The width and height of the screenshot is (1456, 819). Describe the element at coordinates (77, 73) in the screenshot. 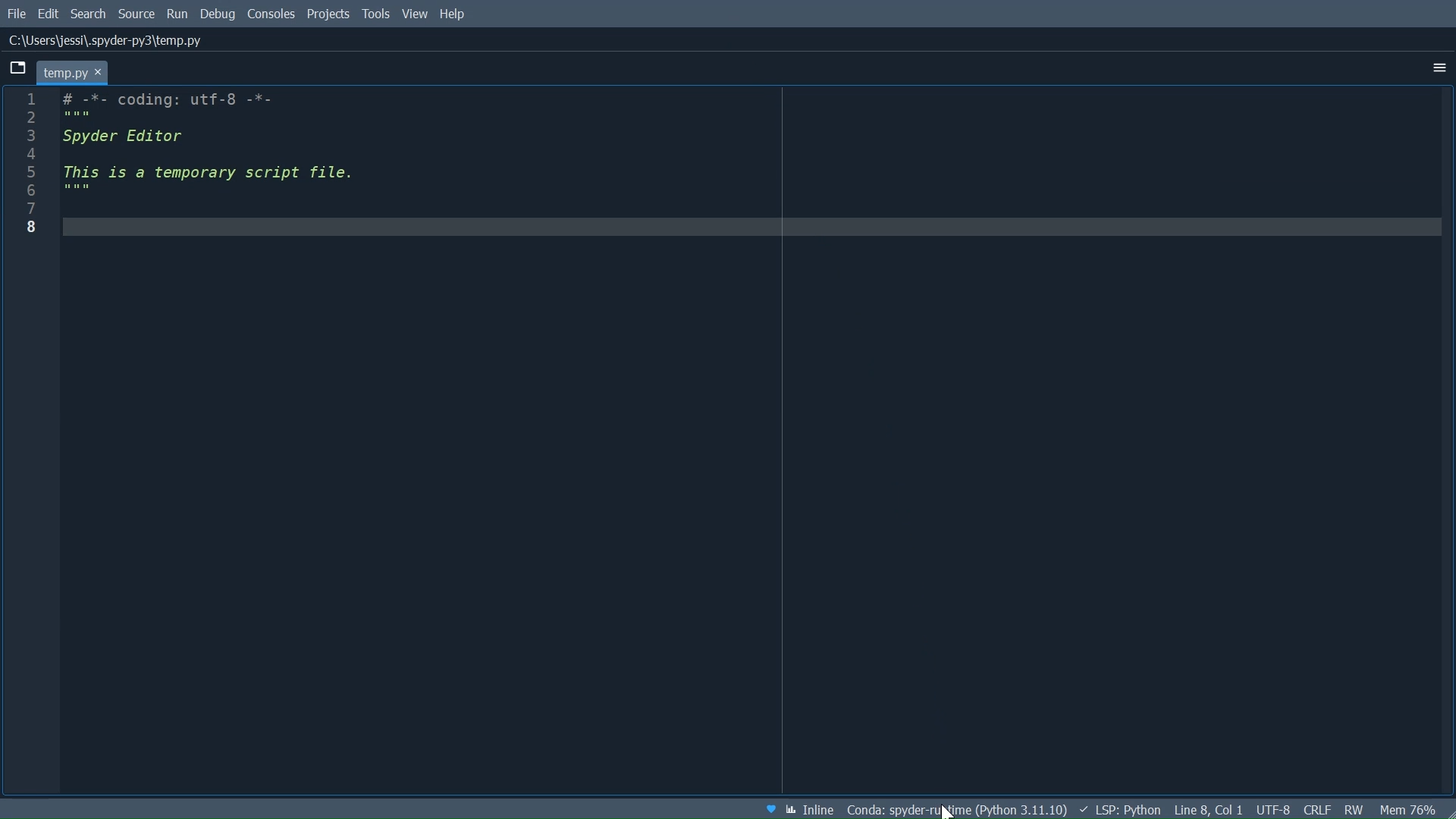

I see `Current tab` at that location.